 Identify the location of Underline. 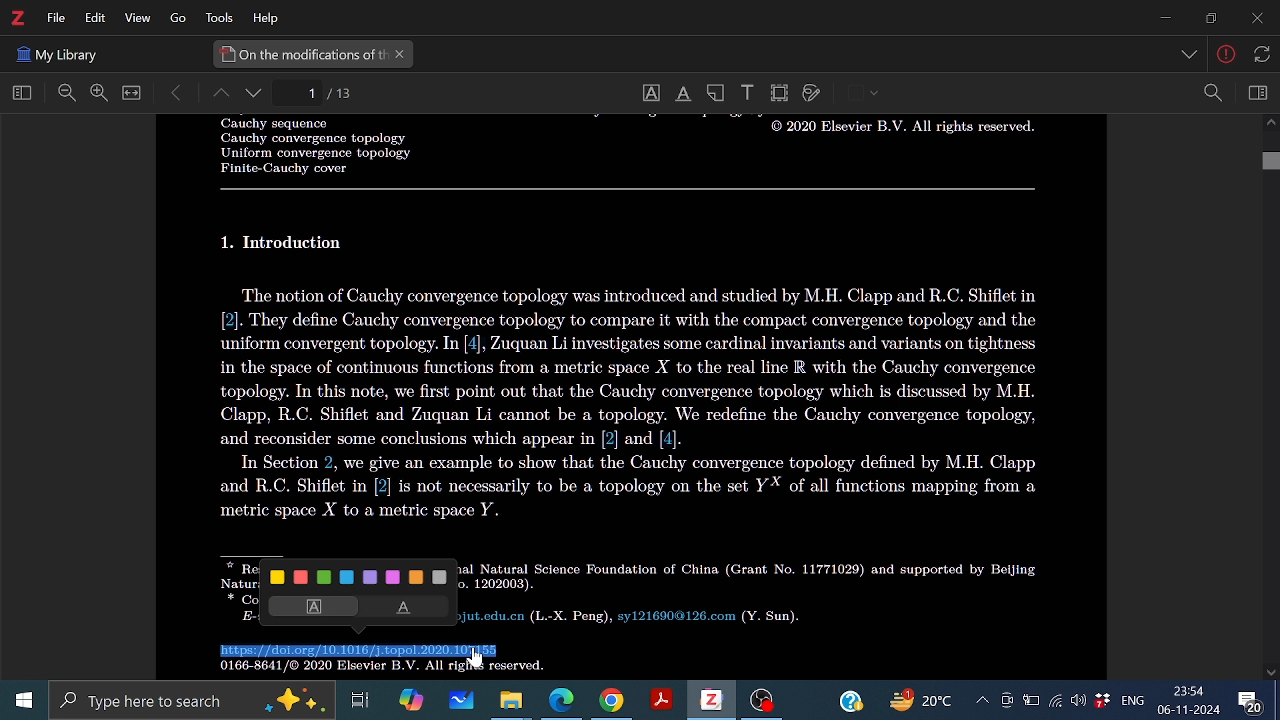
(407, 608).